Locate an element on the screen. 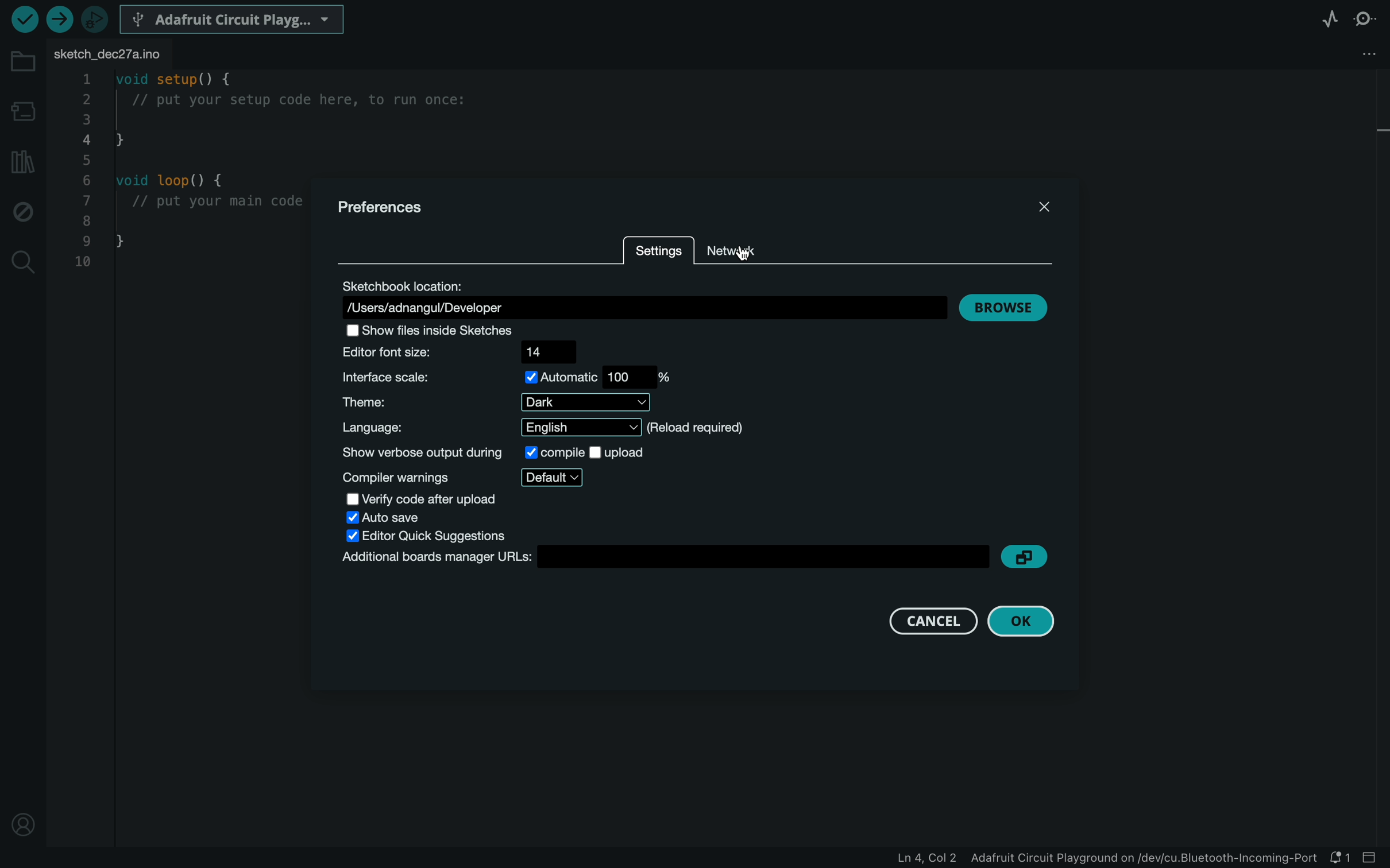 This screenshot has width=1390, height=868. verify is located at coordinates (25, 21).